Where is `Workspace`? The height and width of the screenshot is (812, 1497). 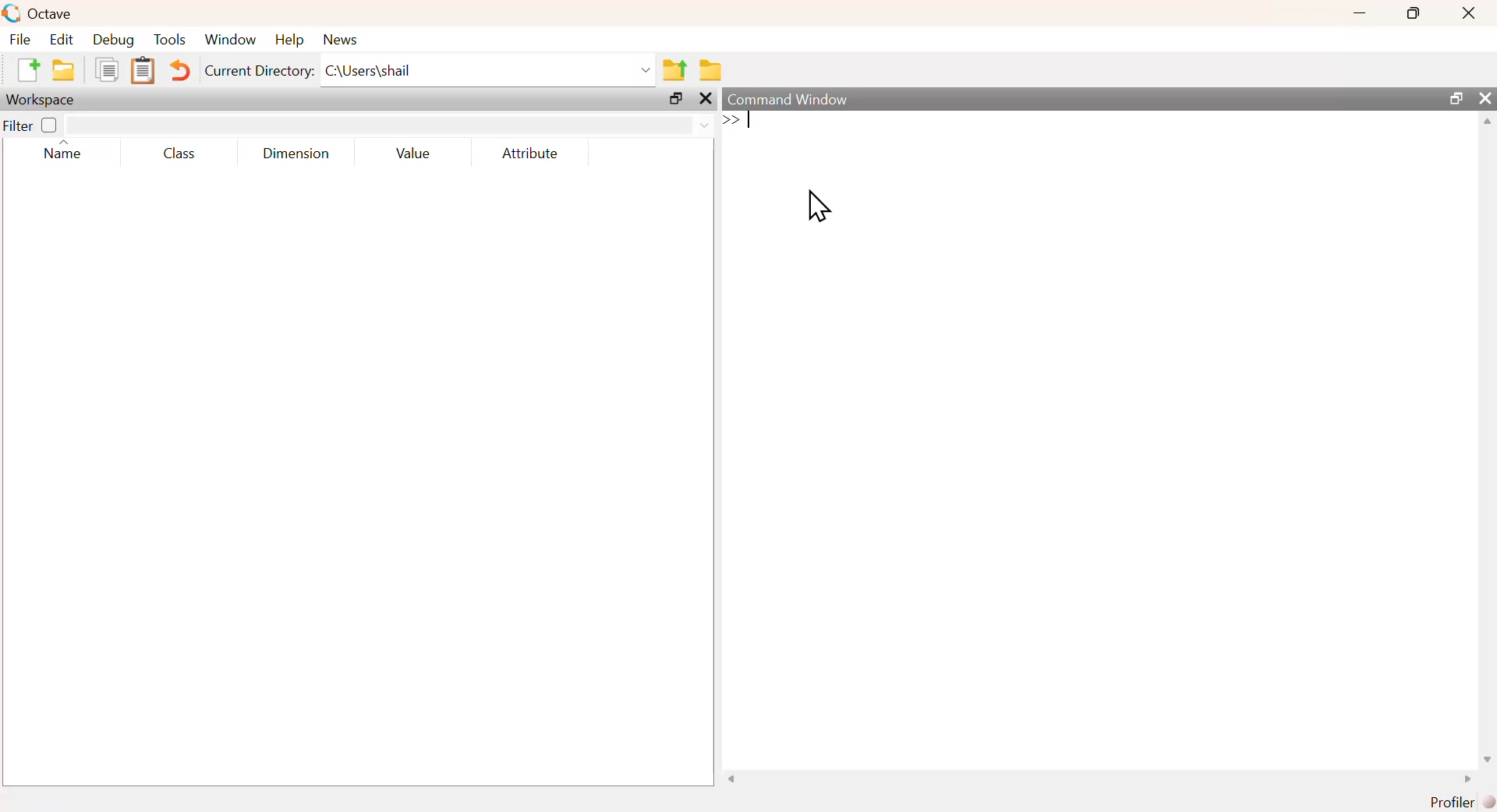
Workspace is located at coordinates (44, 99).